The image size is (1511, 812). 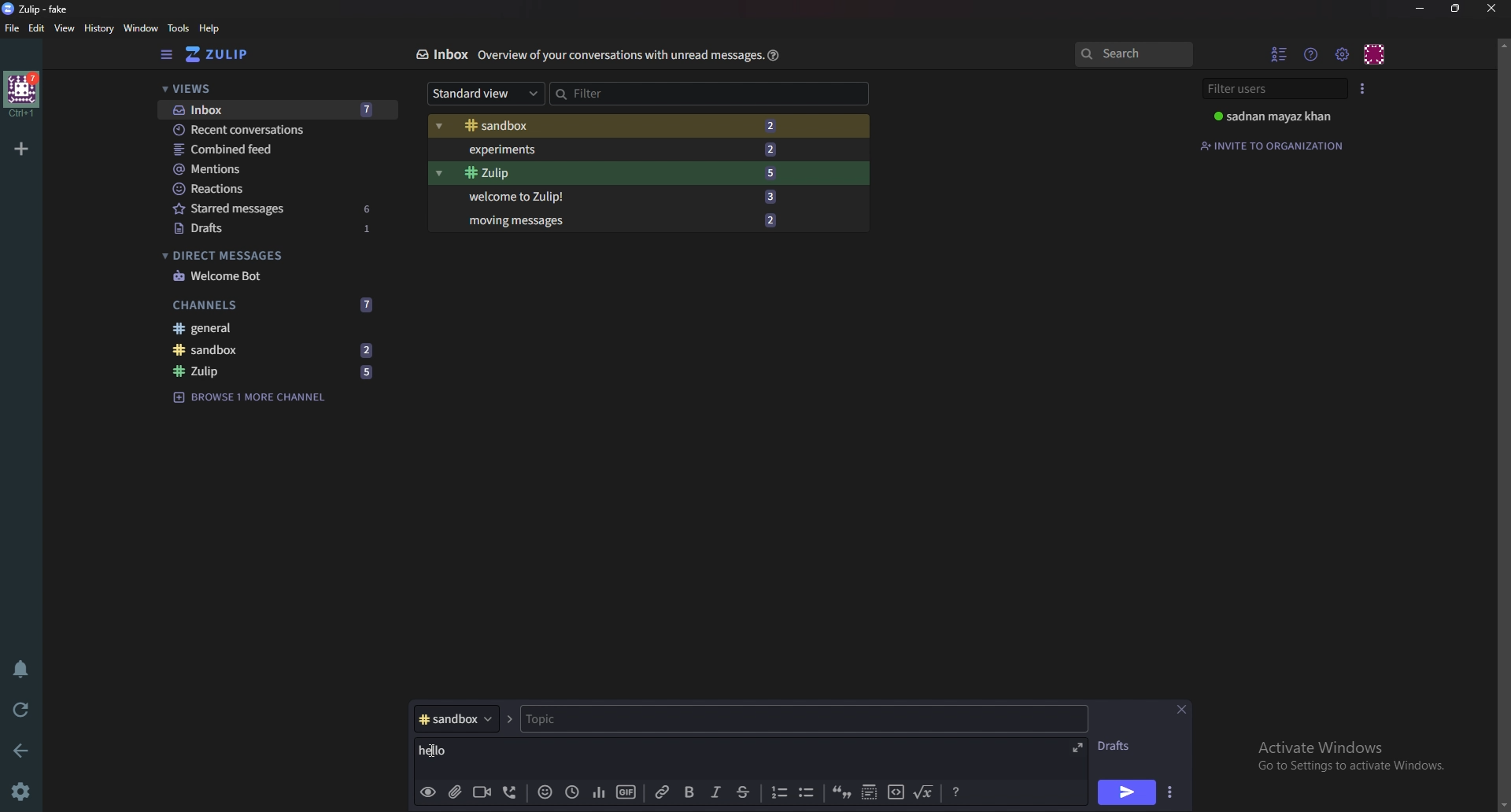 I want to click on Spoiler, so click(x=869, y=792).